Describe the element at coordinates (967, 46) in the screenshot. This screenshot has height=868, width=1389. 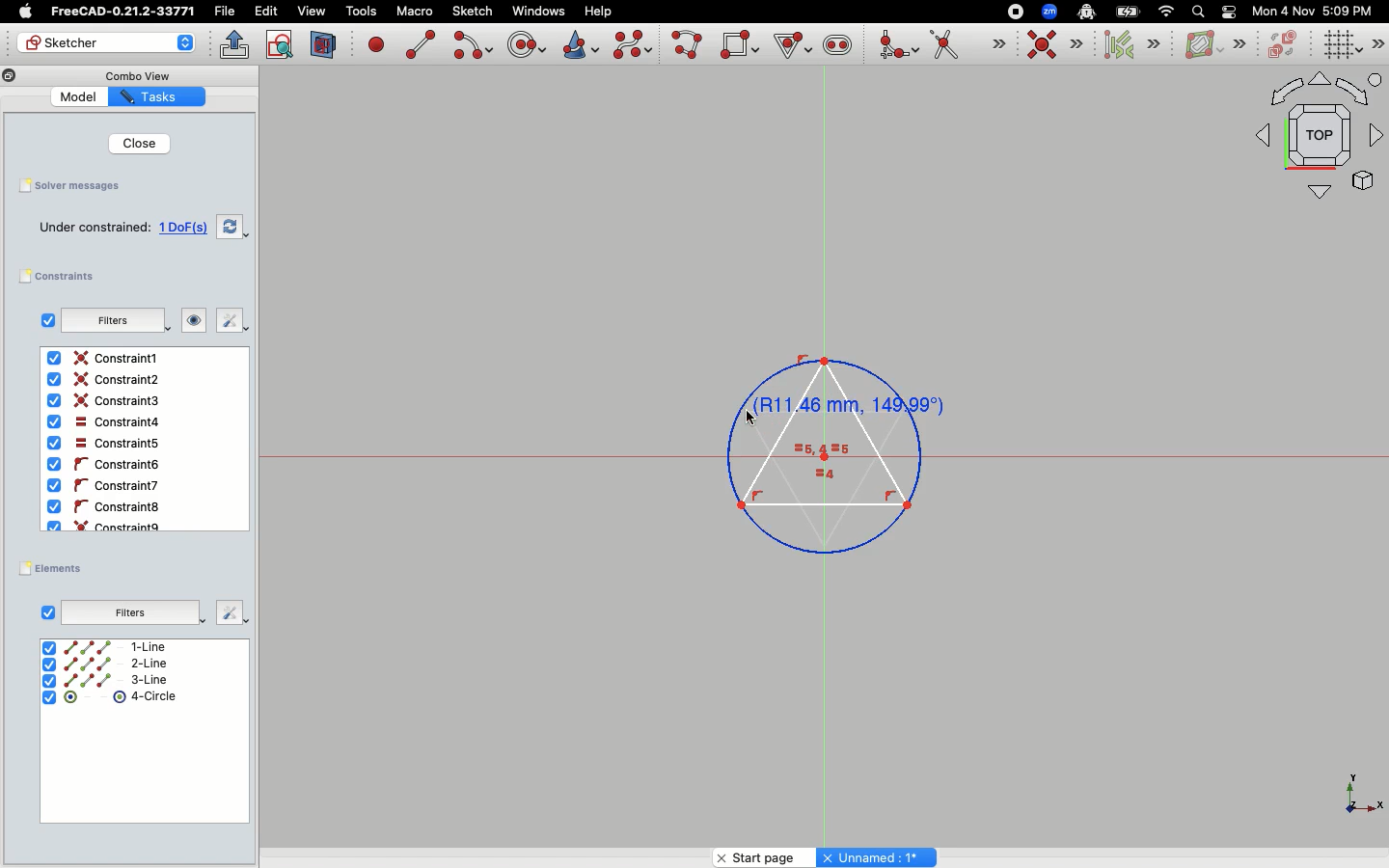
I see `Trim edge` at that location.